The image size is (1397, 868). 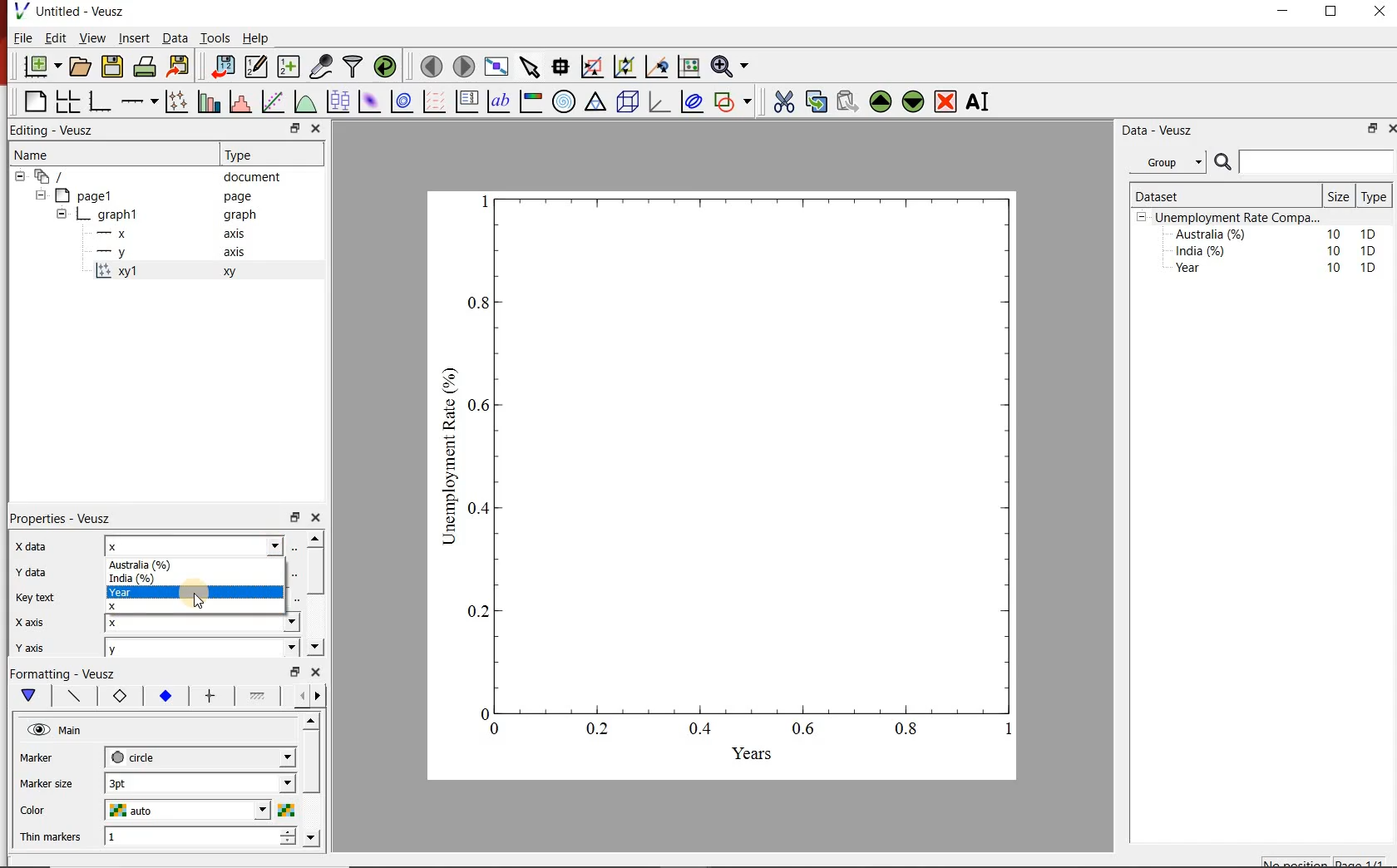 I want to click on plot 2d datasets as image, so click(x=369, y=101).